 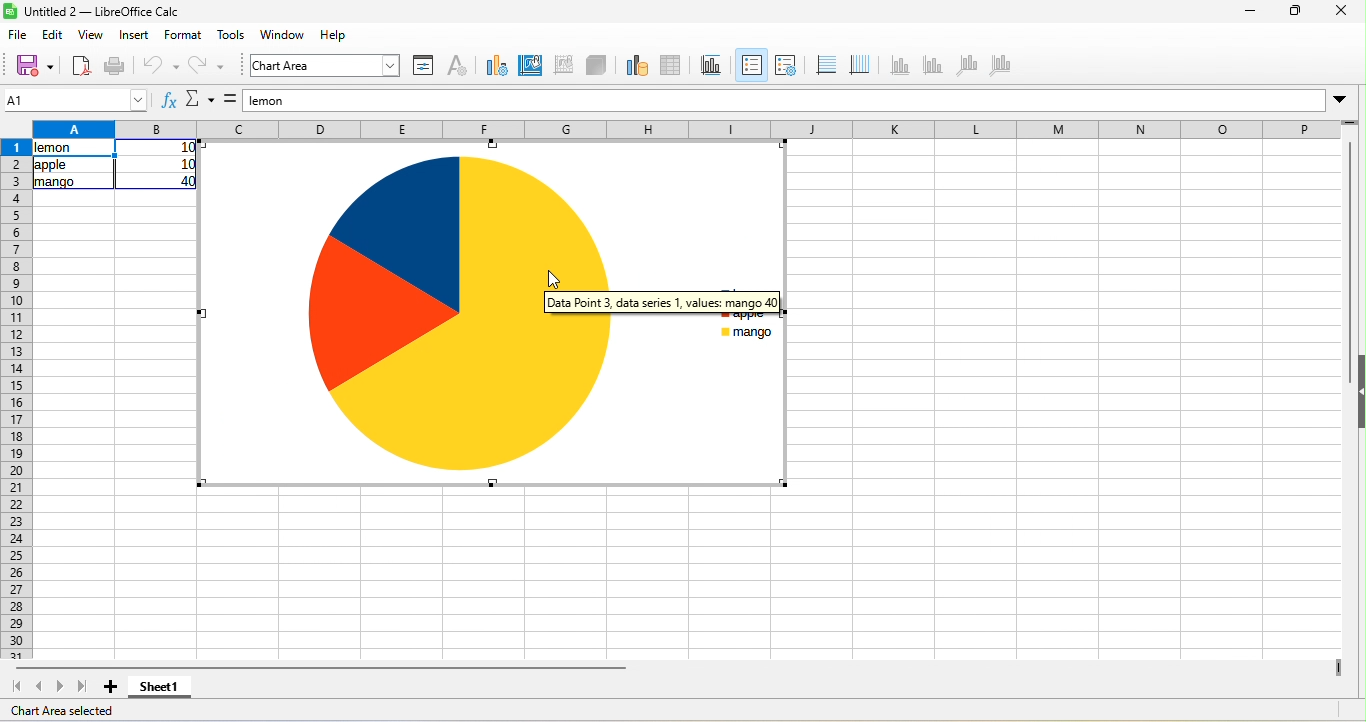 What do you see at coordinates (73, 150) in the screenshot?
I see `lemon` at bounding box center [73, 150].